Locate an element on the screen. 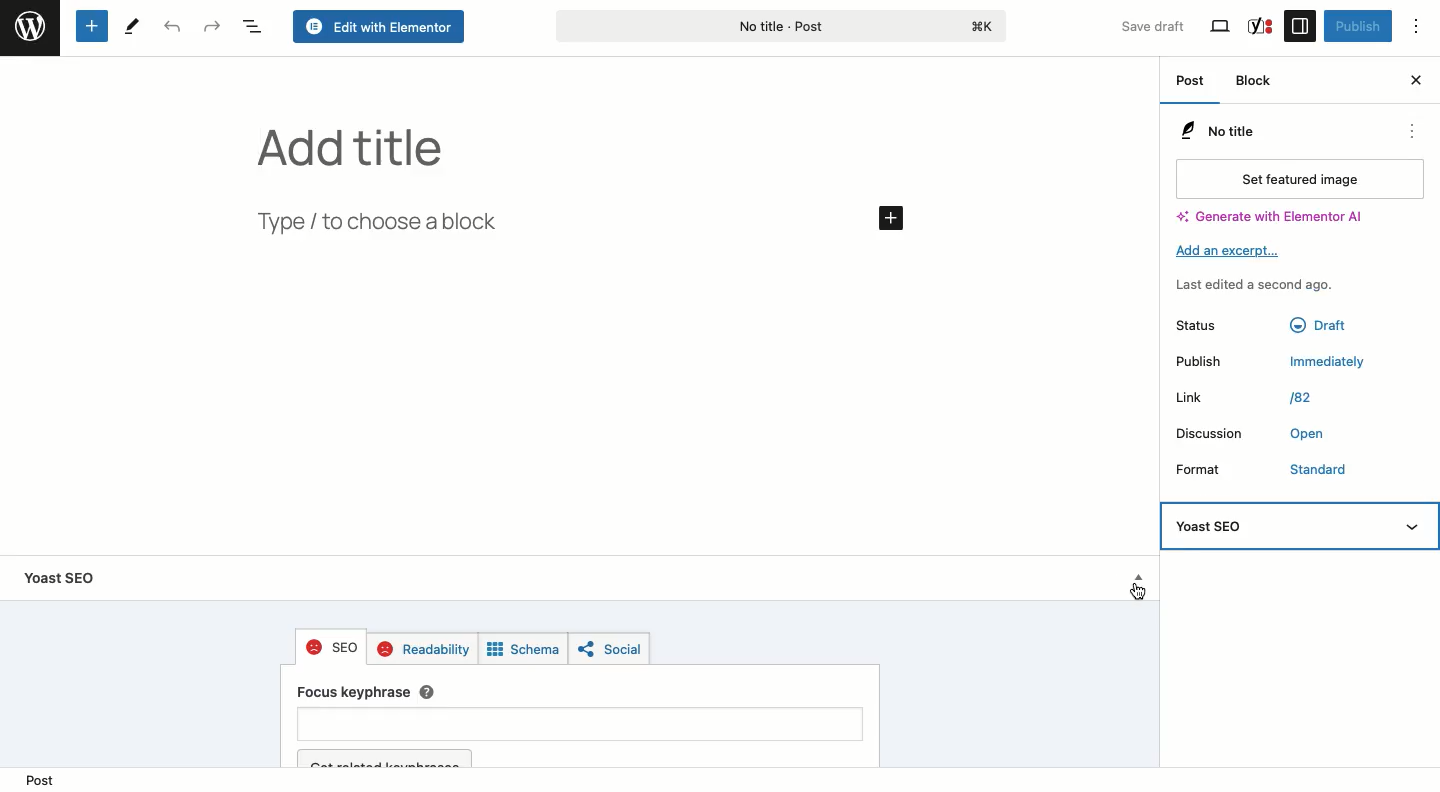 The height and width of the screenshot is (792, 1440). Hide is located at coordinates (1134, 575).